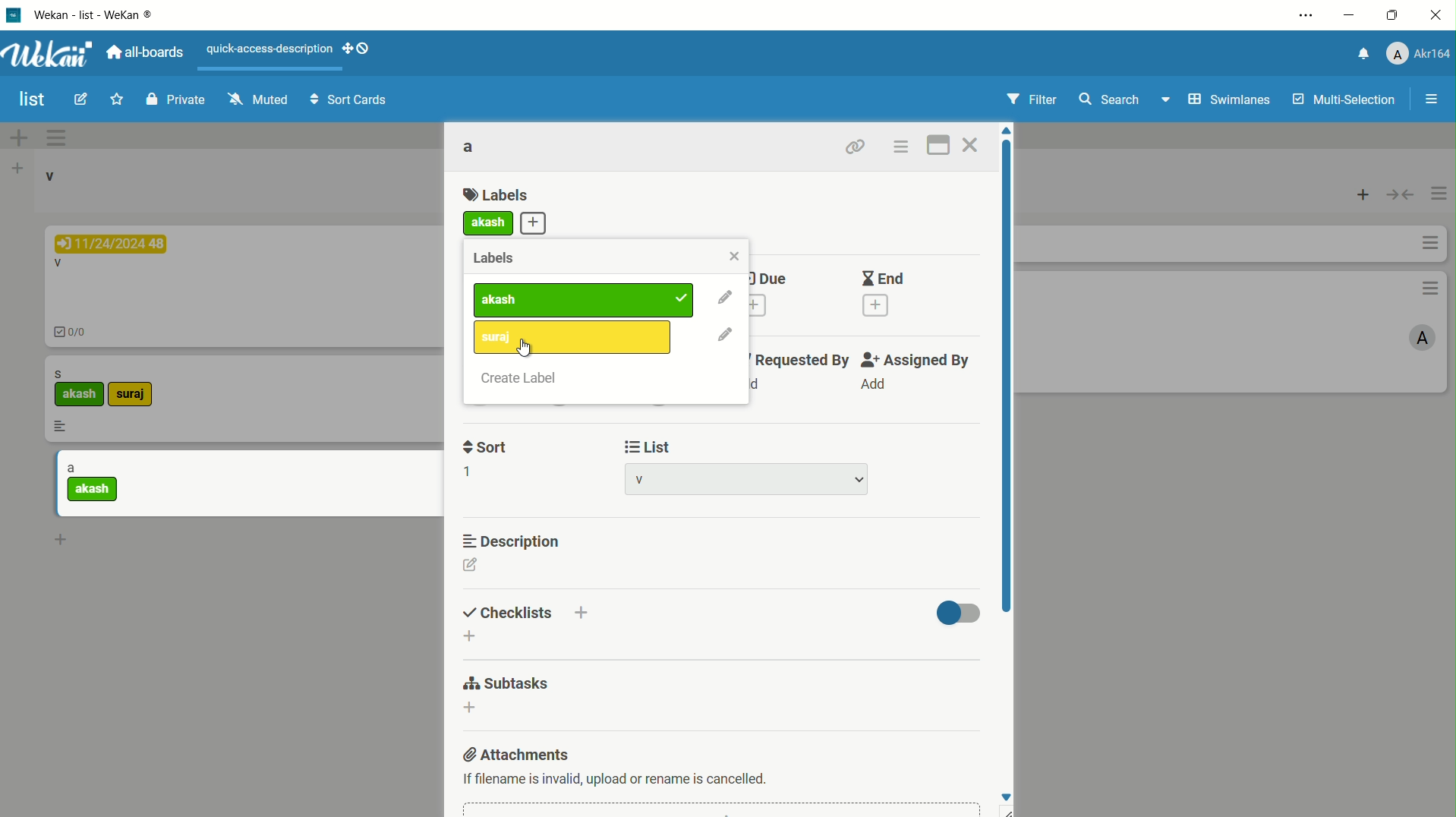 This screenshot has height=817, width=1456. I want to click on akash, so click(77, 396).